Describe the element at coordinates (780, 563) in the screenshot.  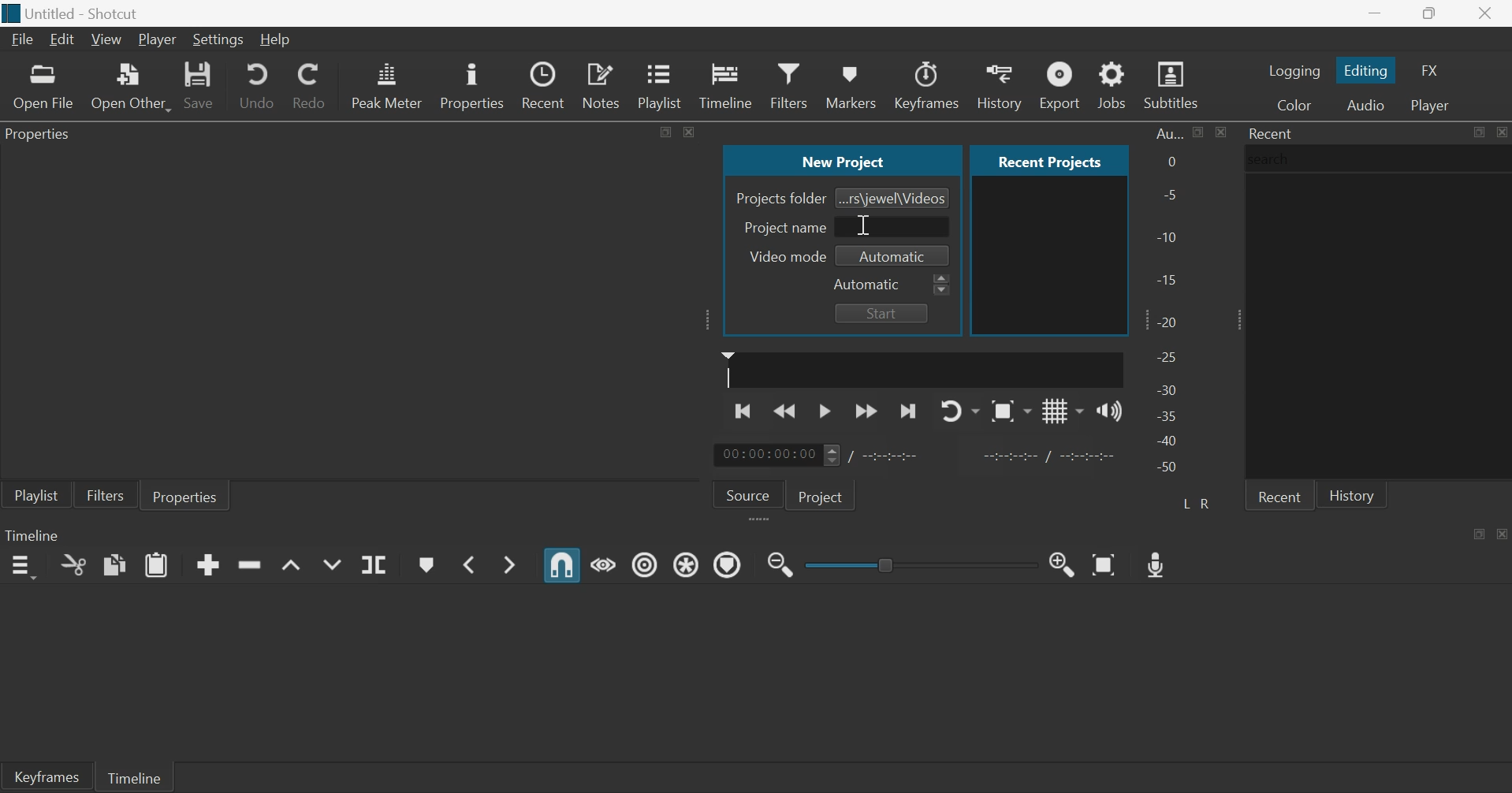
I see `zoom timeline out` at that location.